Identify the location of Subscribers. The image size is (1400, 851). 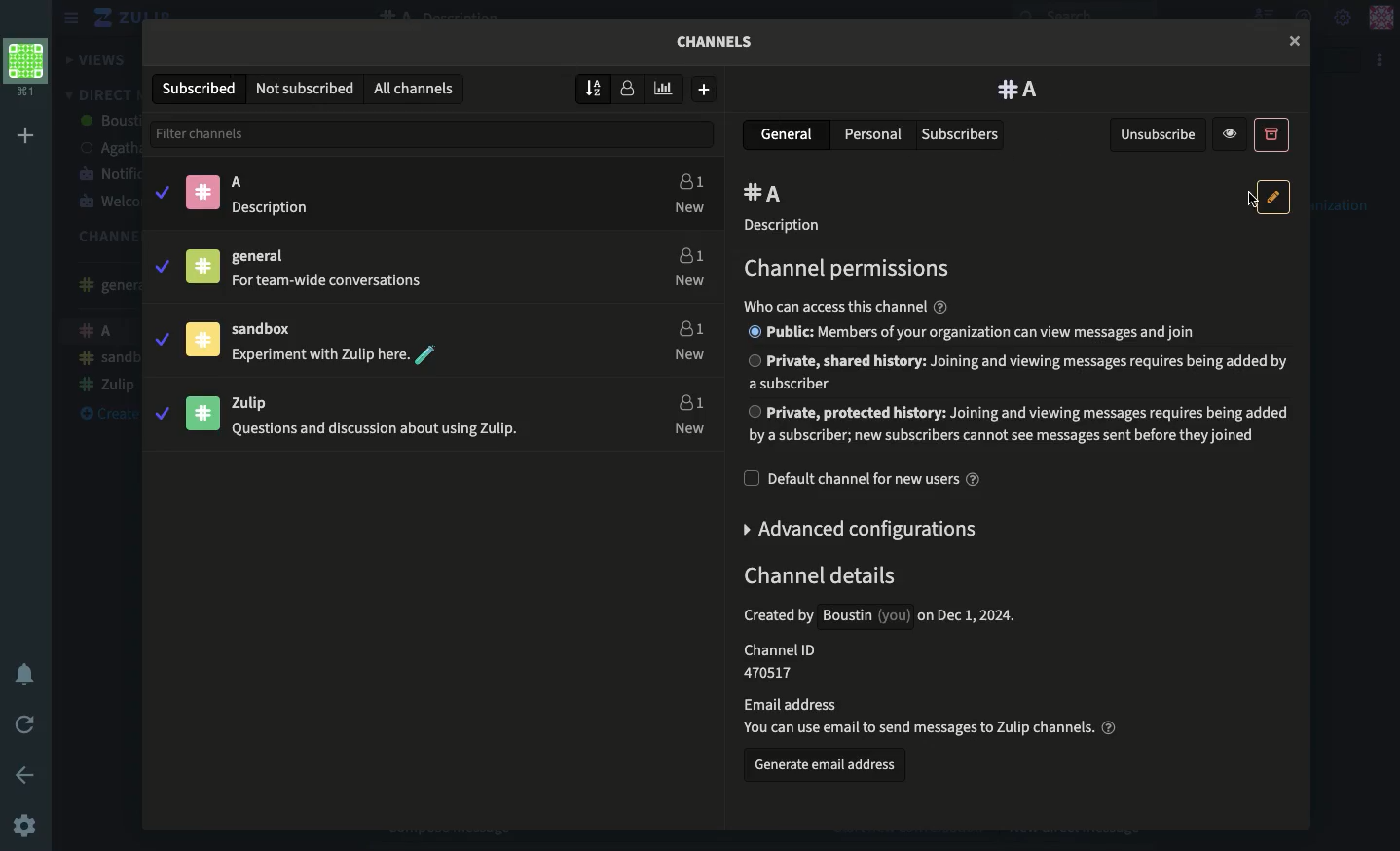
(962, 135).